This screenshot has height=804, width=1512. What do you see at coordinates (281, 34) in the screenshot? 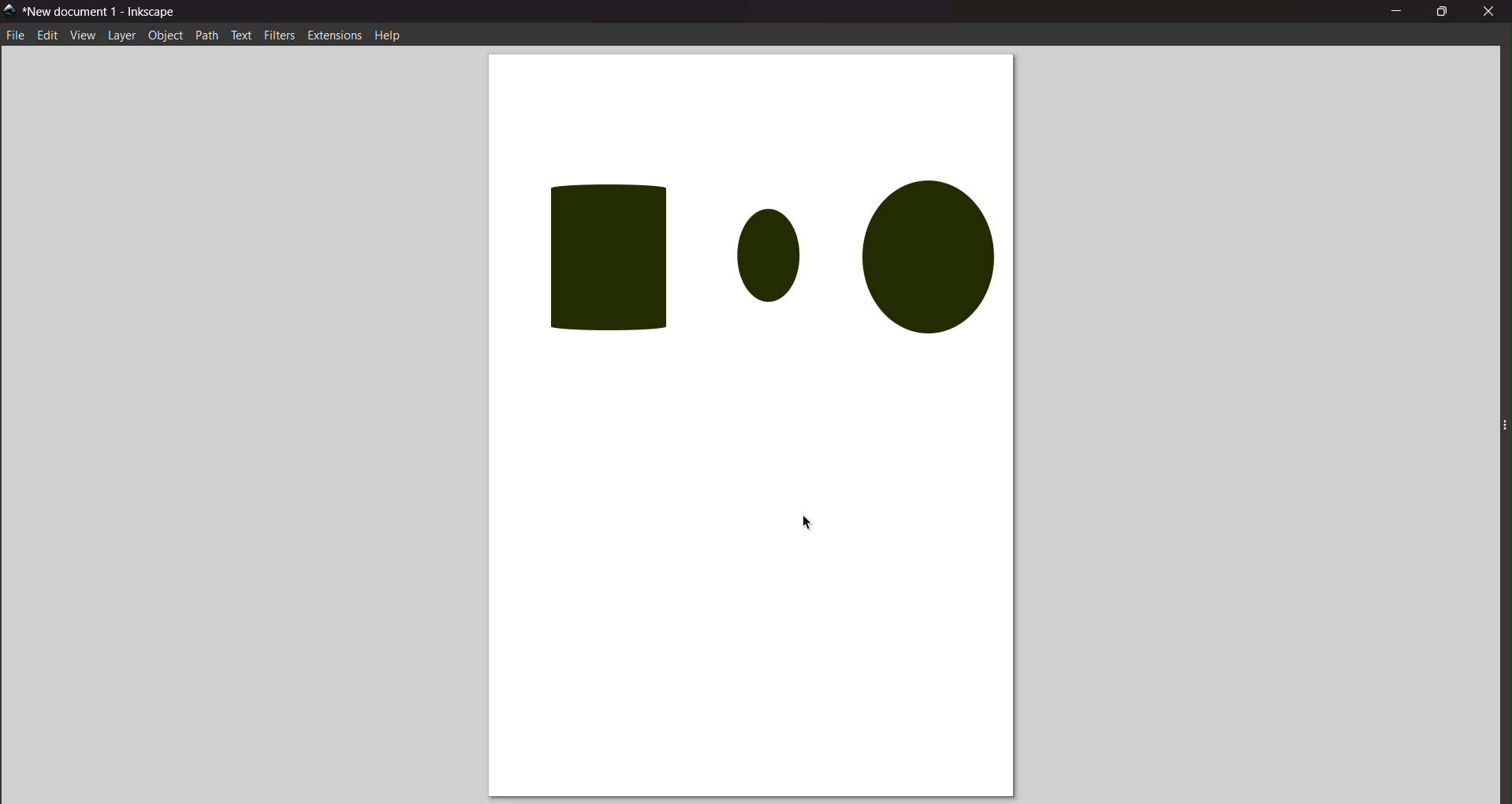
I see `filters` at bounding box center [281, 34].